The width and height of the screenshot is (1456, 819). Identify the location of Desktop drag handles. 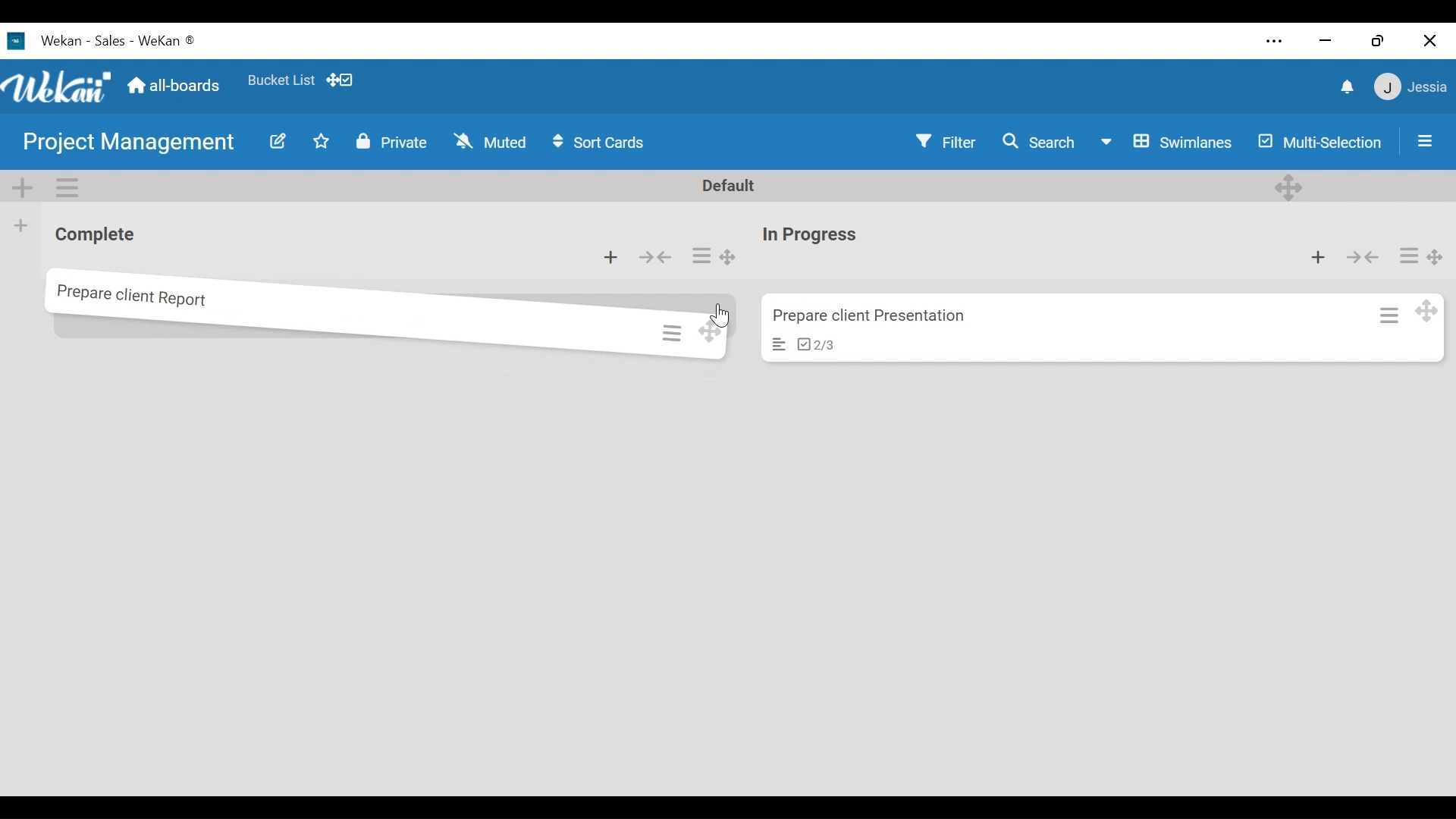
(1425, 318).